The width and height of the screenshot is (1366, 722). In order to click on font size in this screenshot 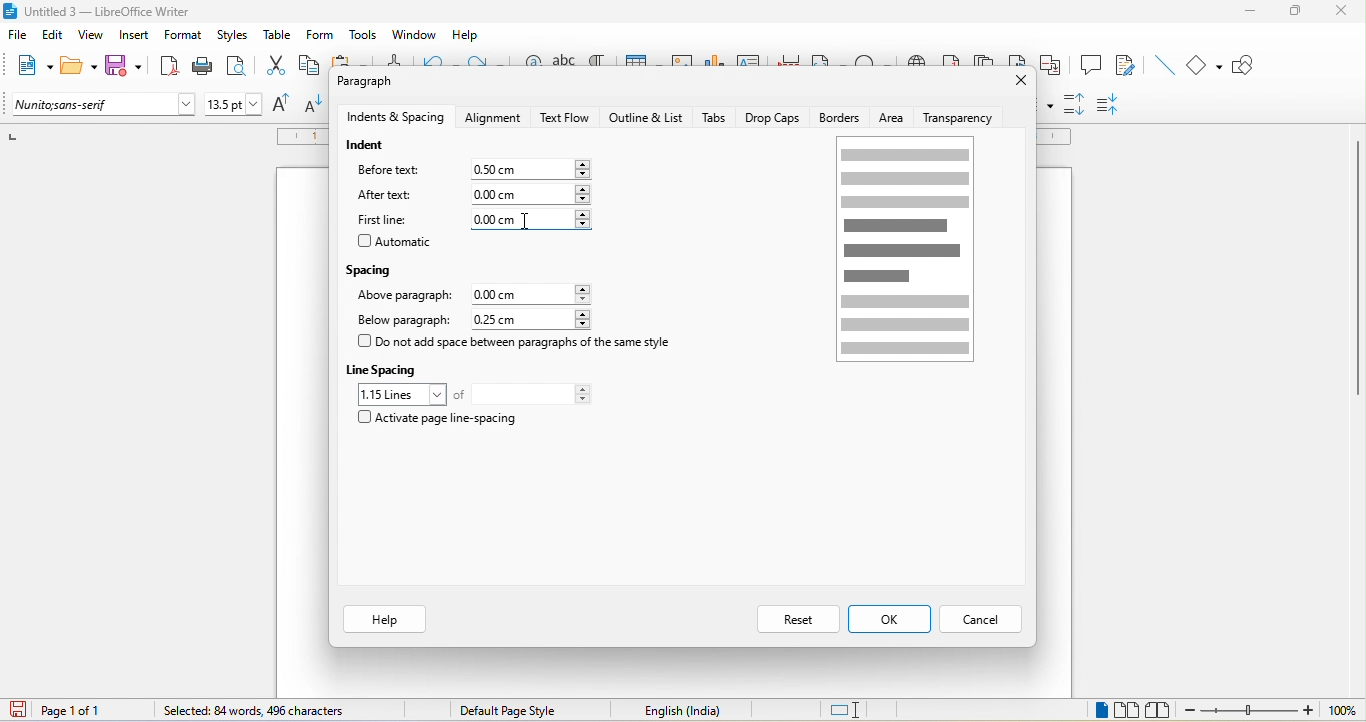, I will do `click(234, 105)`.